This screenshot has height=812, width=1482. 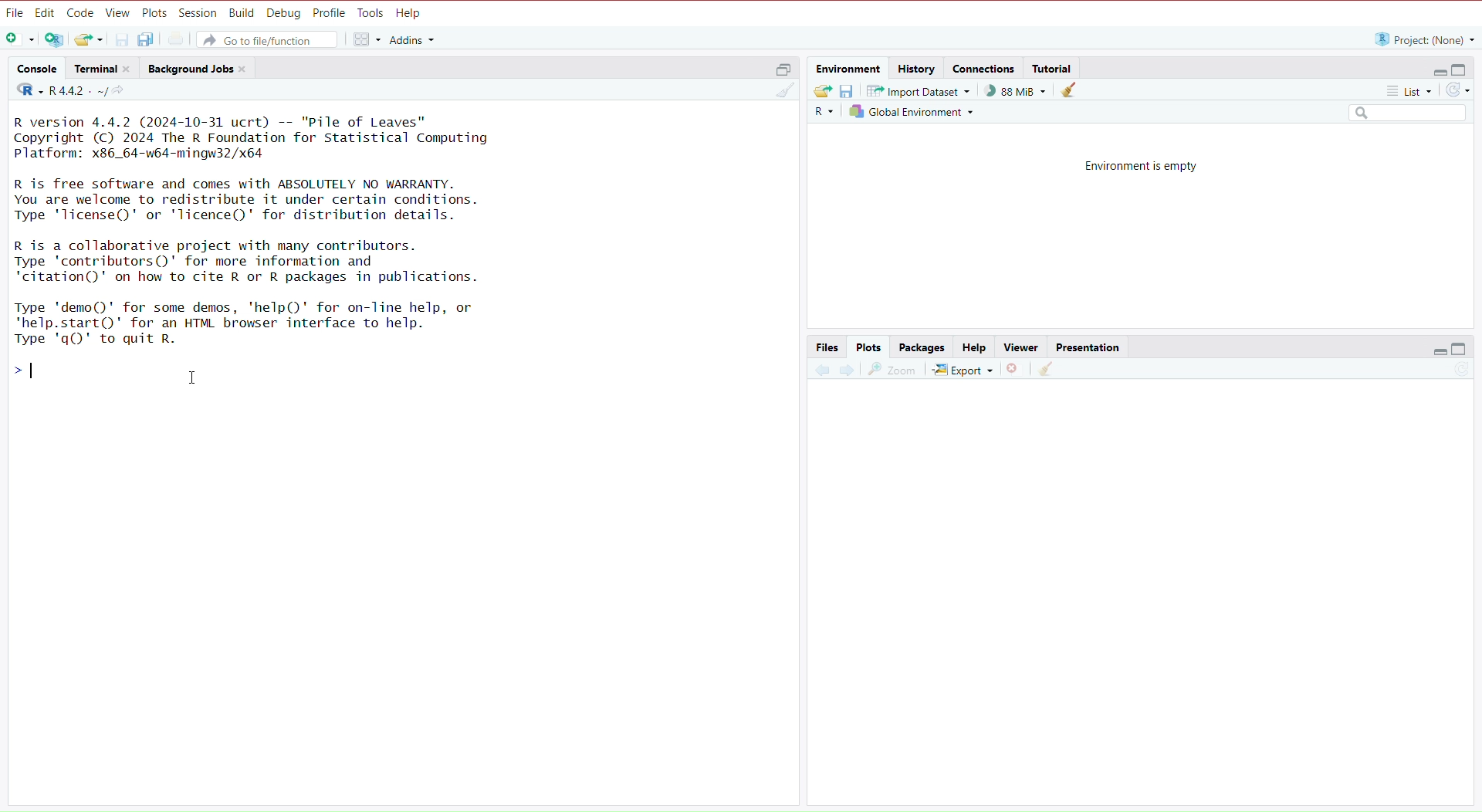 What do you see at coordinates (1010, 91) in the screenshot?
I see `) 88 MiB ~` at bounding box center [1010, 91].